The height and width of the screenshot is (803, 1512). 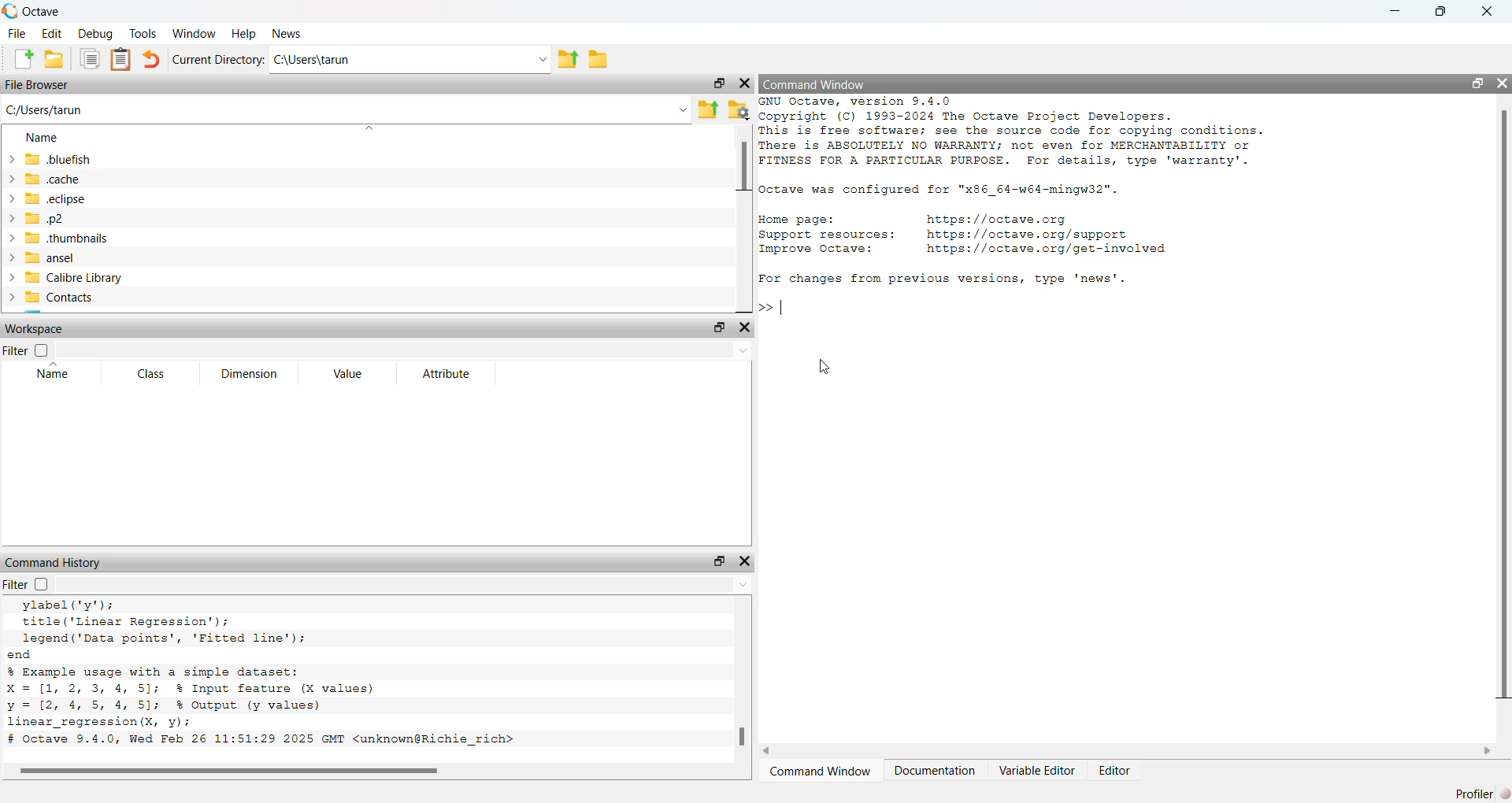 What do you see at coordinates (218, 698) in the screenshot?
I see `code for linear regression with simple dataset` at bounding box center [218, 698].